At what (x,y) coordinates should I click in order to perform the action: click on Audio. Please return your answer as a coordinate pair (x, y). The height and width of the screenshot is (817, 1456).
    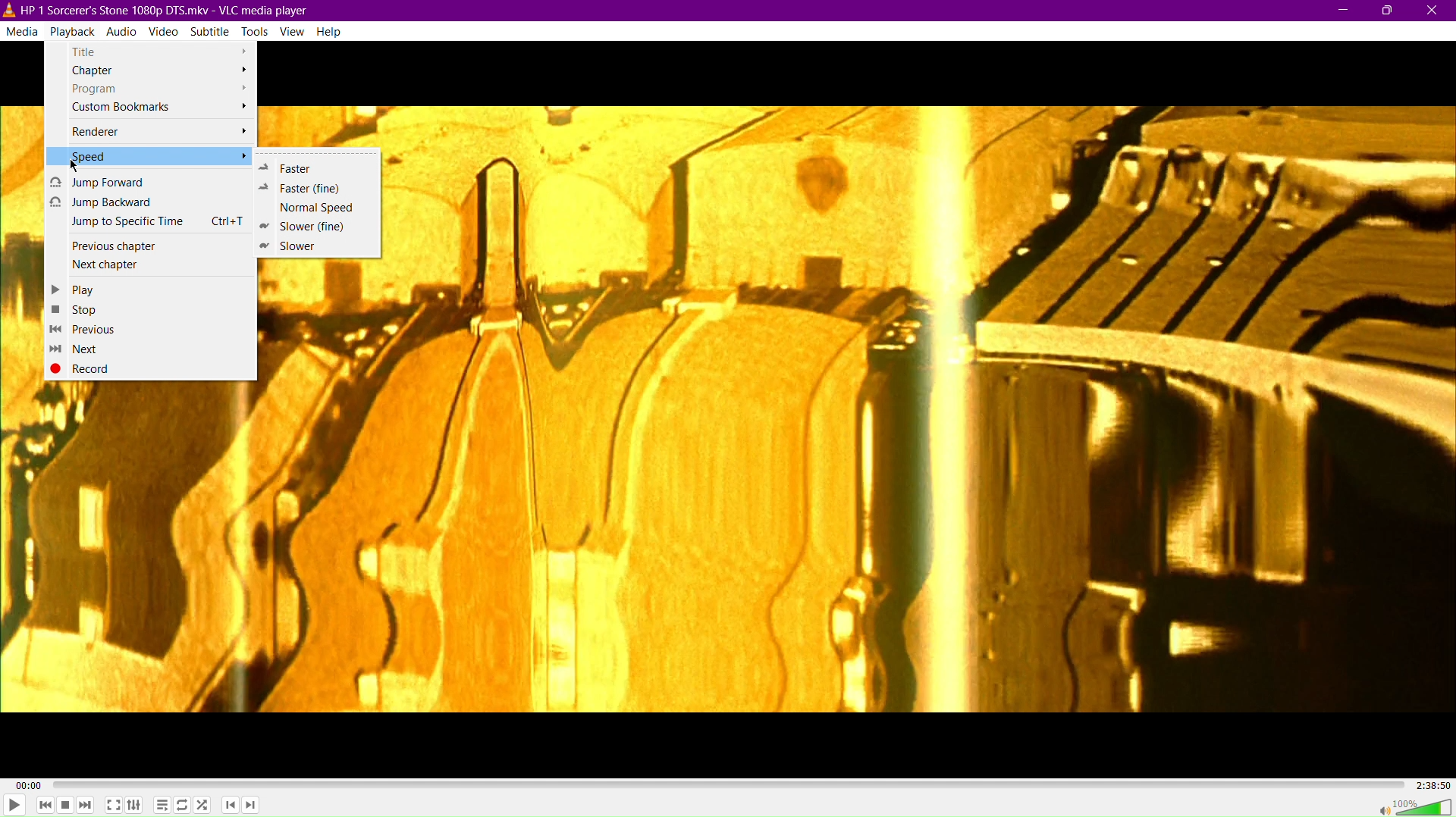
    Looking at the image, I should click on (124, 30).